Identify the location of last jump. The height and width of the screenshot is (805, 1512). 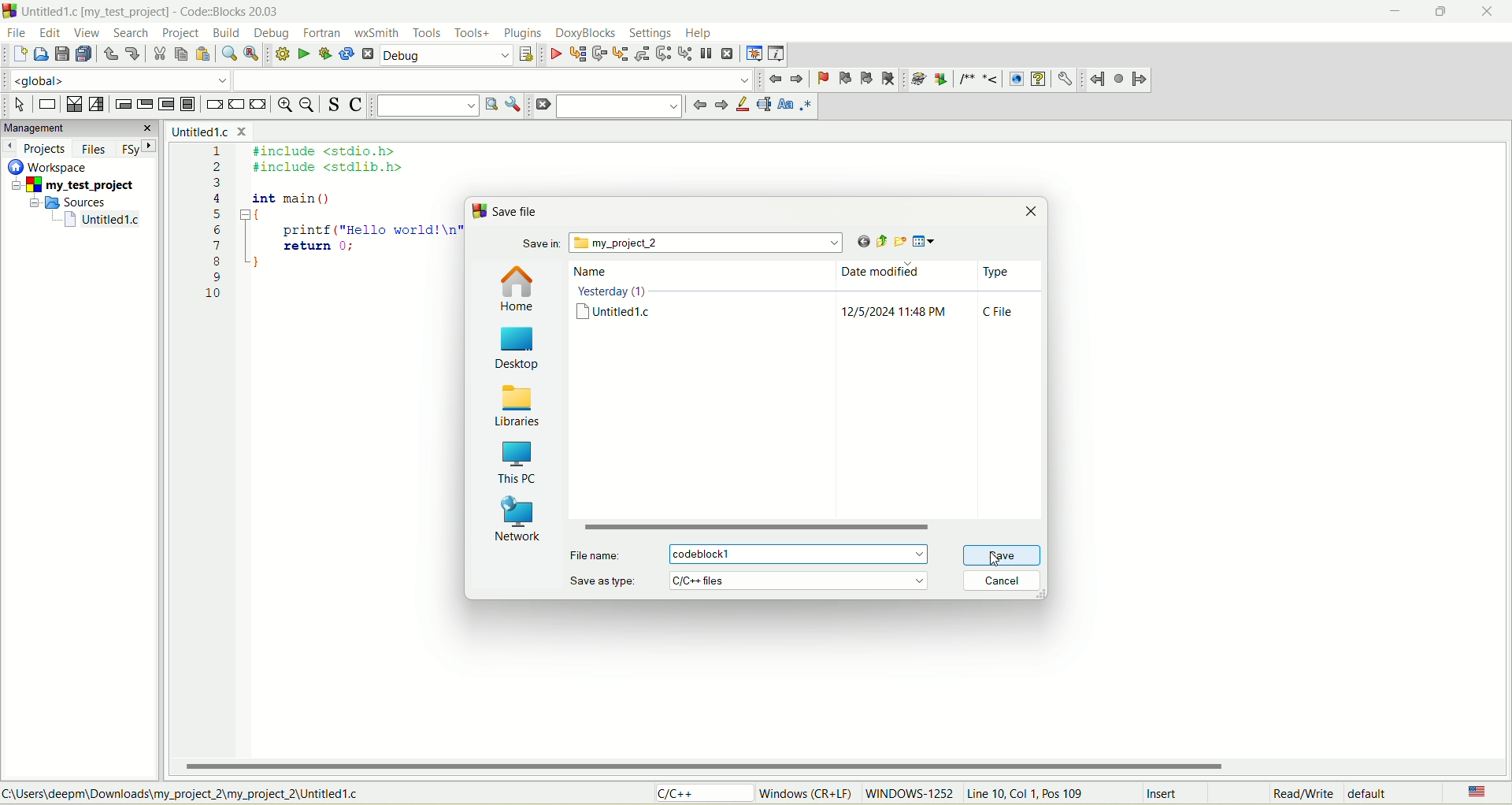
(1120, 79).